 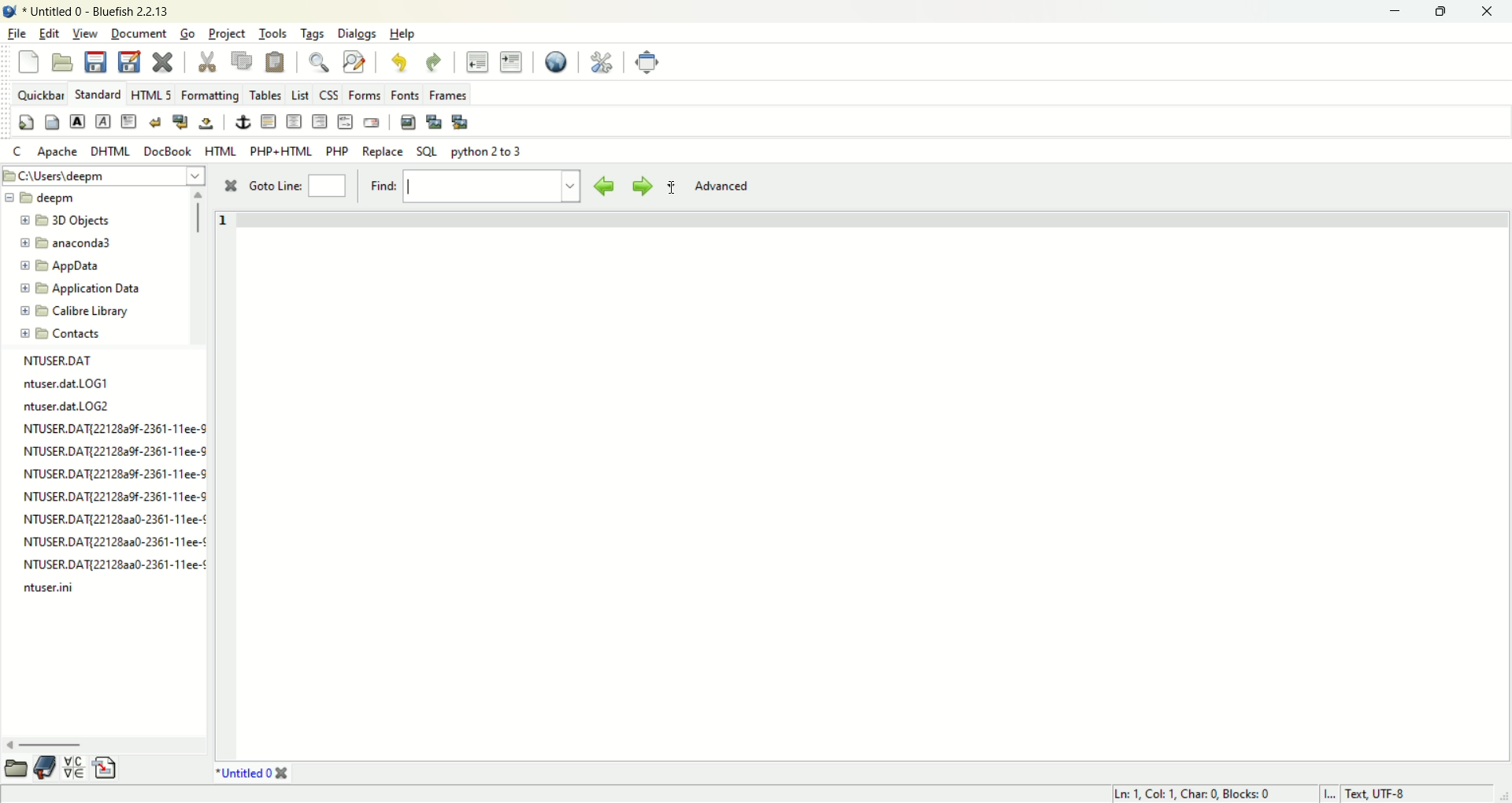 What do you see at coordinates (311, 34) in the screenshot?
I see `tags` at bounding box center [311, 34].